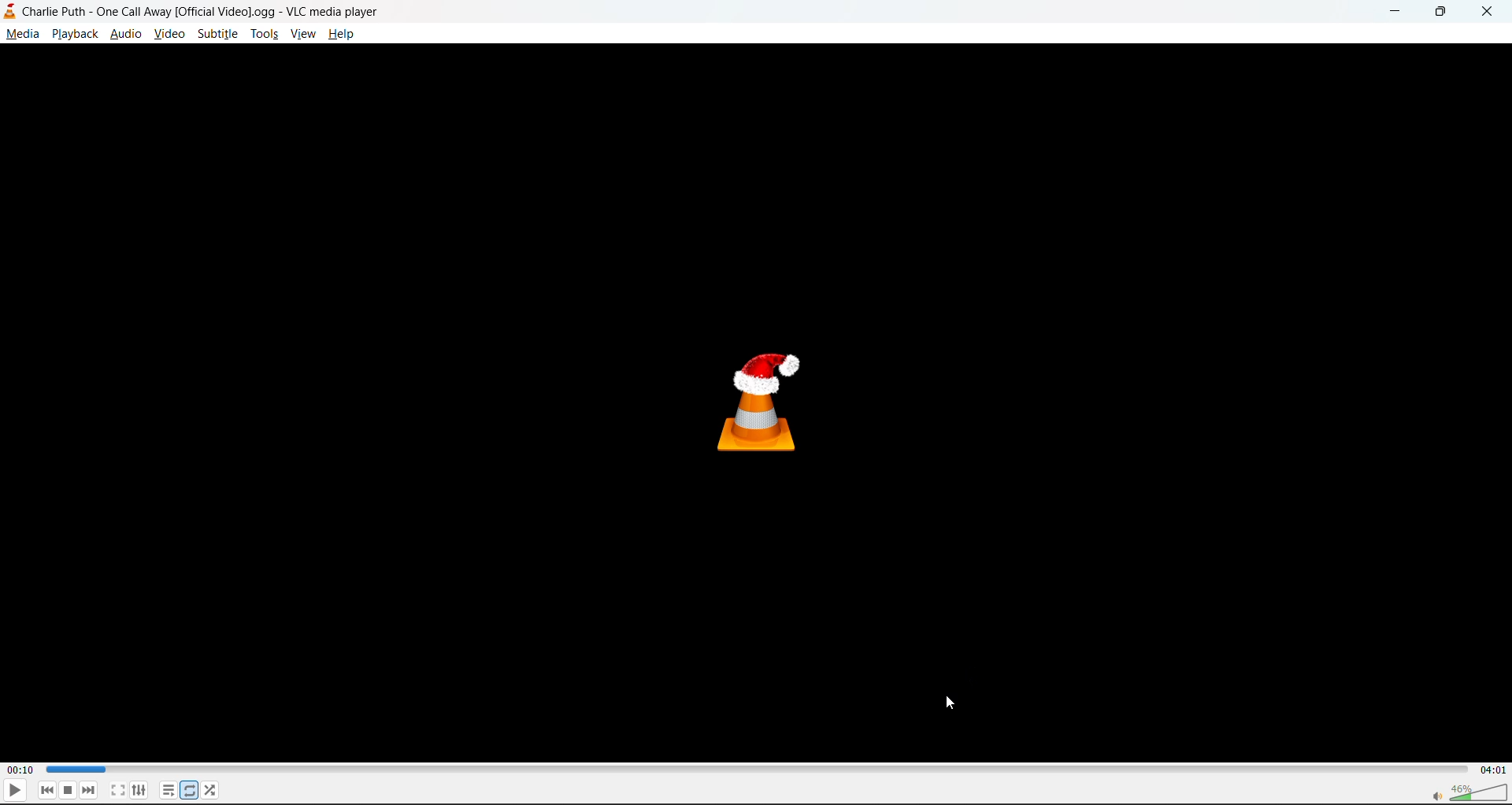 The image size is (1512, 805). What do you see at coordinates (166, 789) in the screenshot?
I see `playlist` at bounding box center [166, 789].